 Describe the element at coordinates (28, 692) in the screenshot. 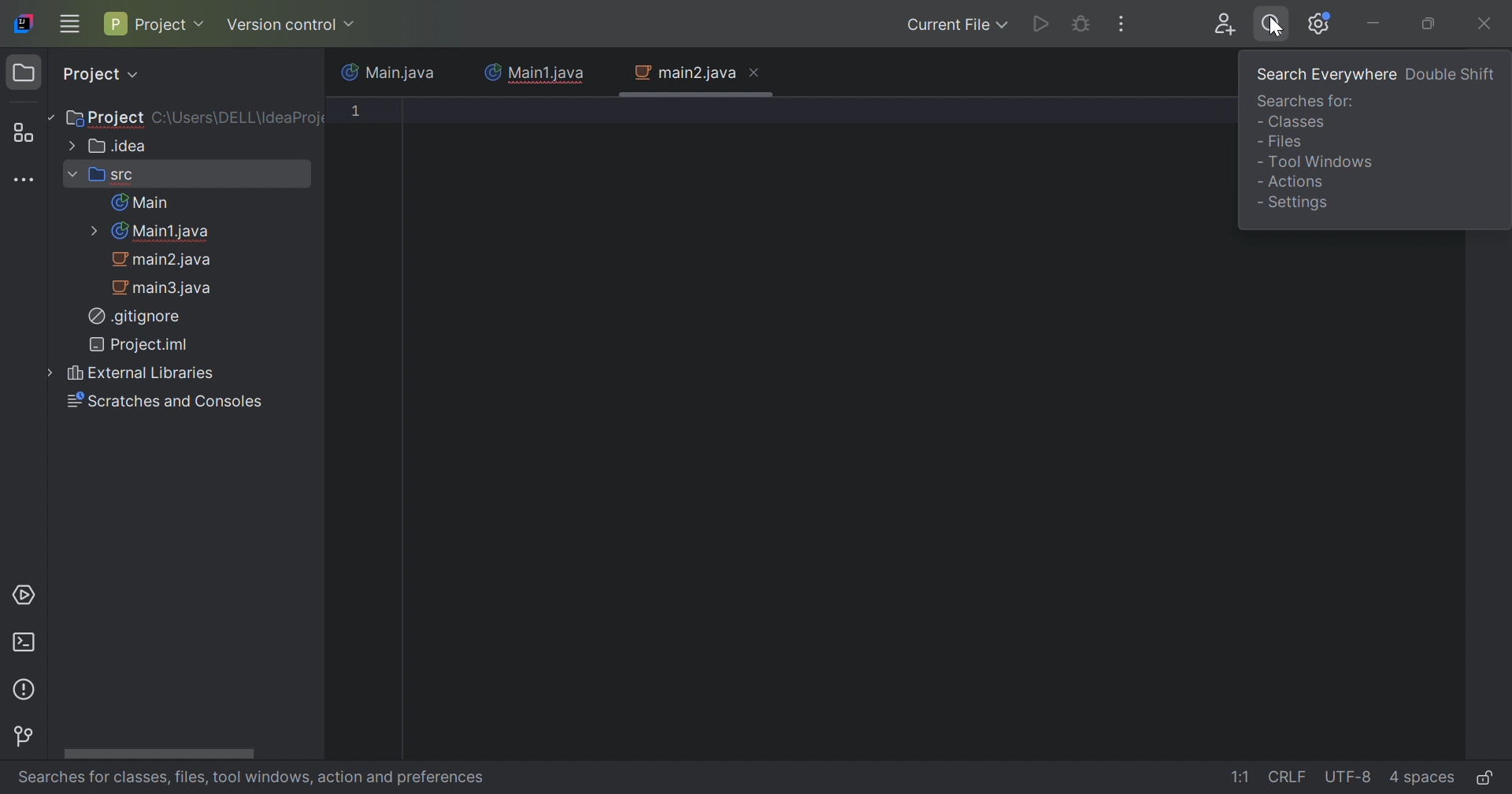

I see `Problems` at that location.